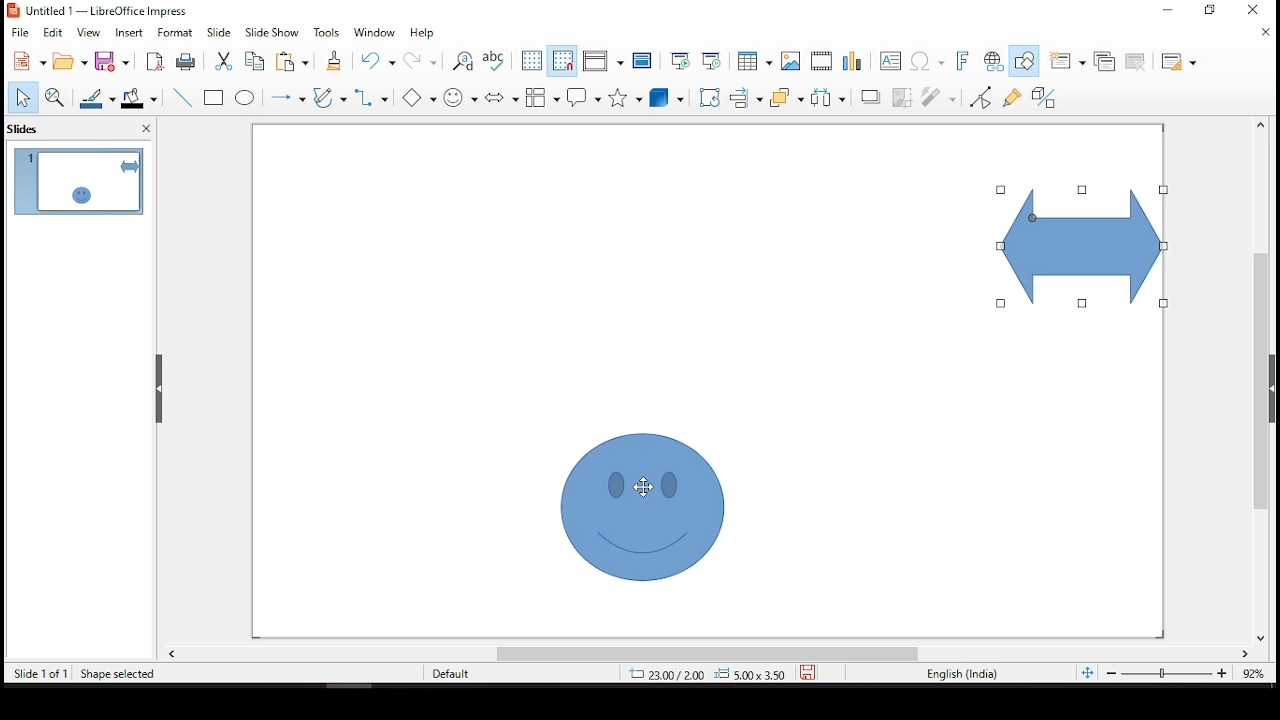  I want to click on filter, so click(940, 97).